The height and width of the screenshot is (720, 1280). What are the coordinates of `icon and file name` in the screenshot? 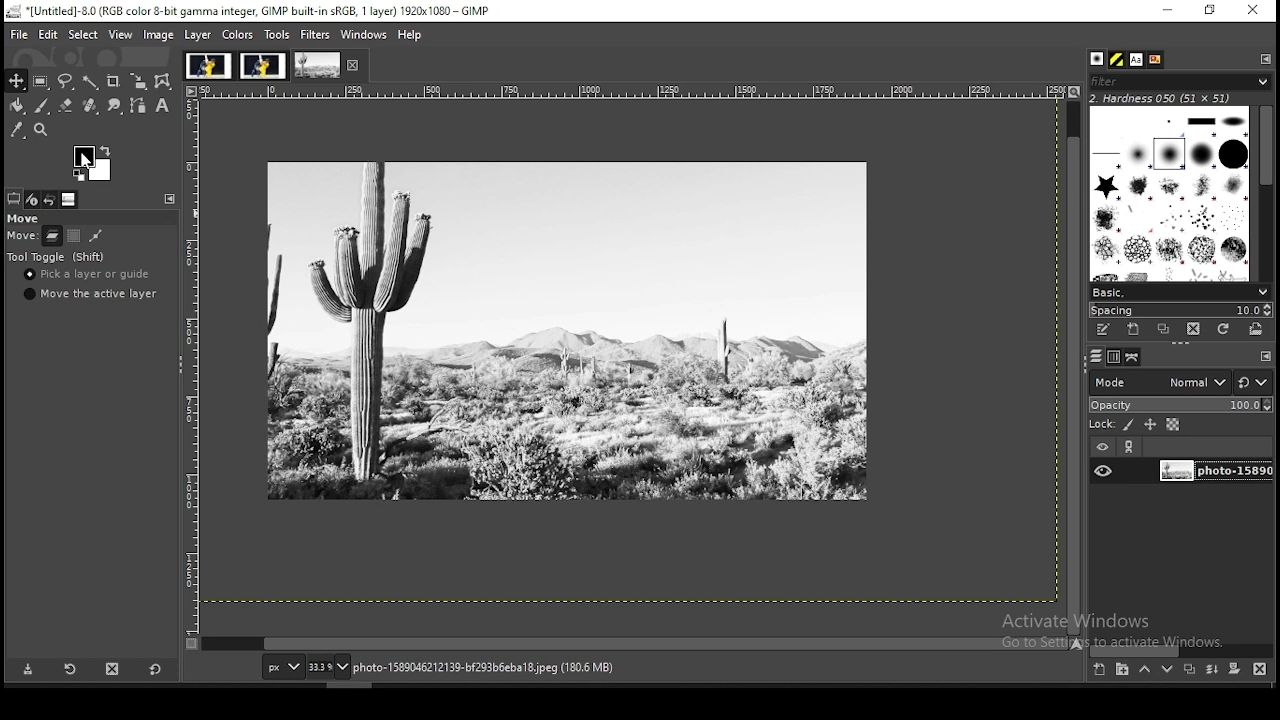 It's located at (248, 11).